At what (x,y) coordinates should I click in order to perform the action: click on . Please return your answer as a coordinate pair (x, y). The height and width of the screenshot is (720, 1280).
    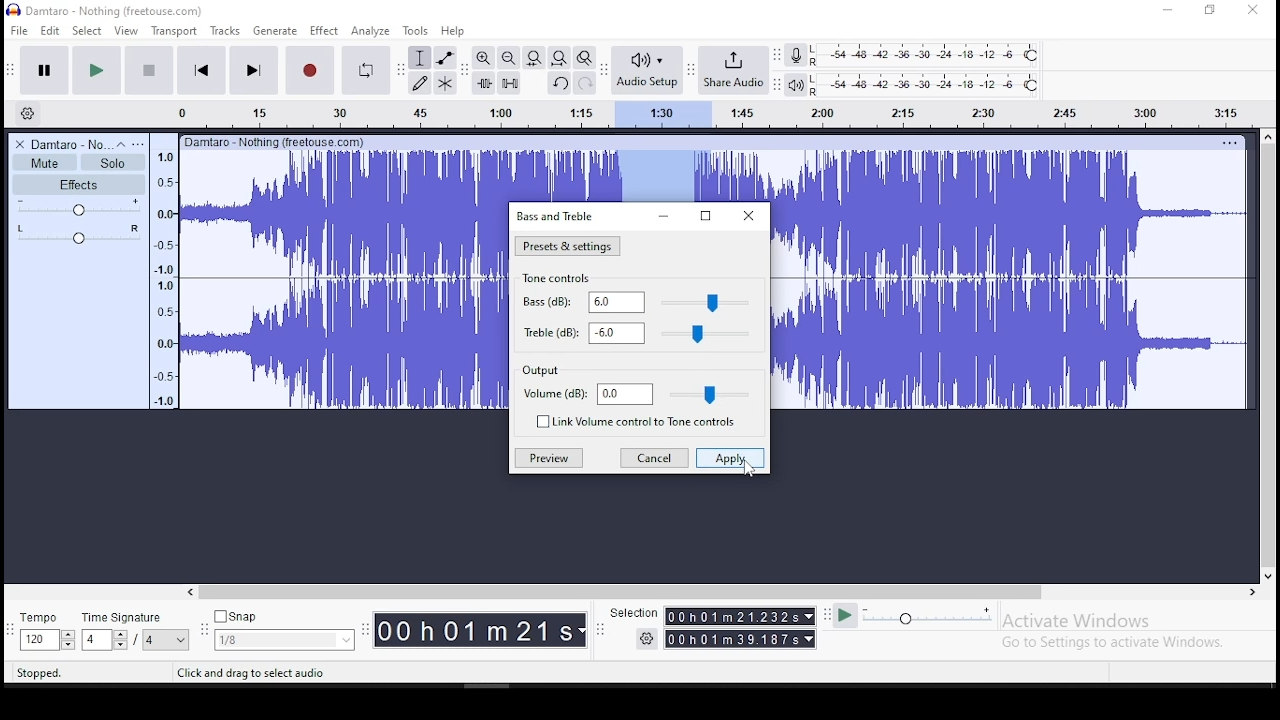
    Looking at the image, I should click on (399, 68).